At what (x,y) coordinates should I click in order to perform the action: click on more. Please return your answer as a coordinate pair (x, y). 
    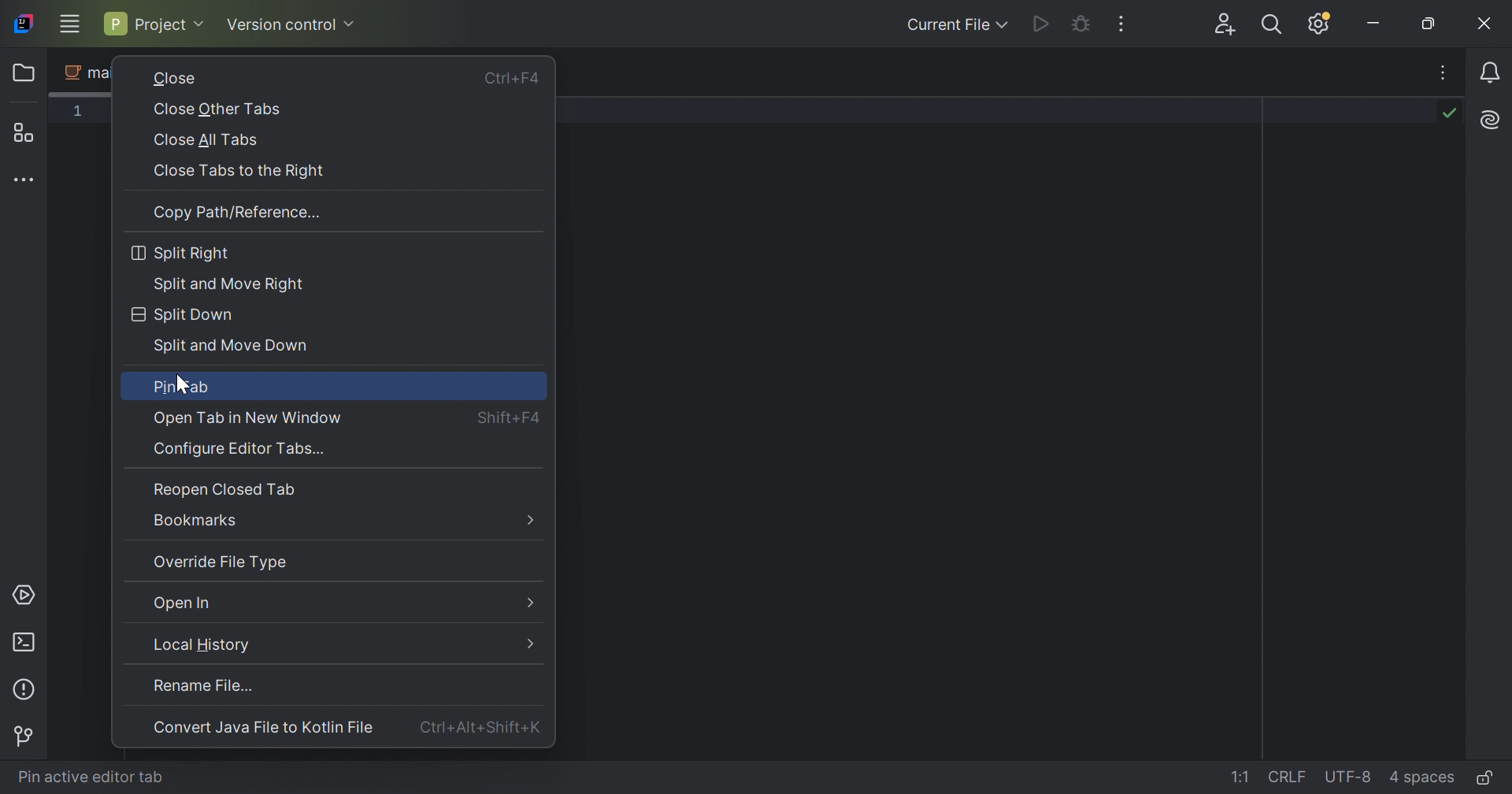
    Looking at the image, I should click on (529, 642).